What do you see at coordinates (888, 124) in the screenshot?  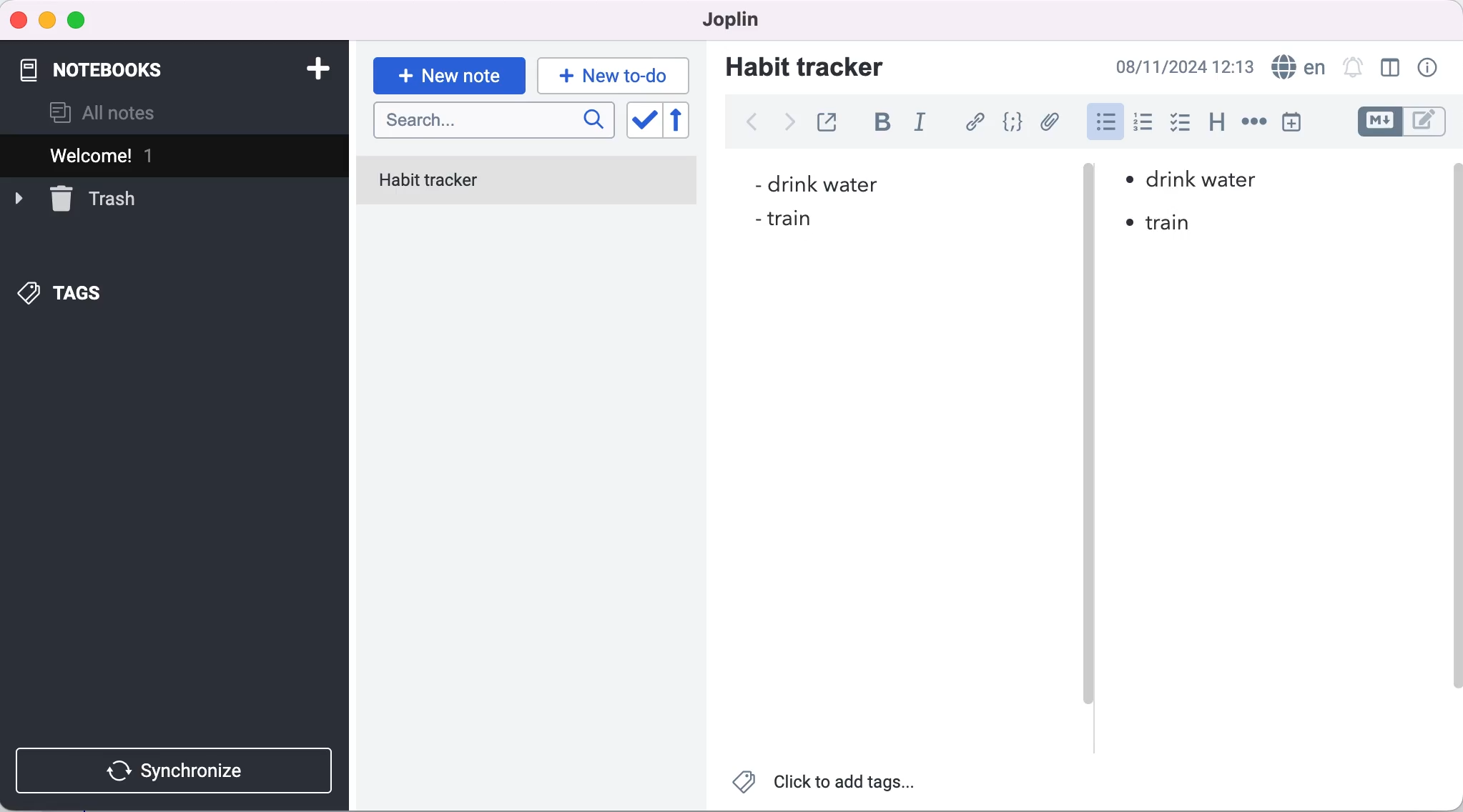 I see `bold` at bounding box center [888, 124].